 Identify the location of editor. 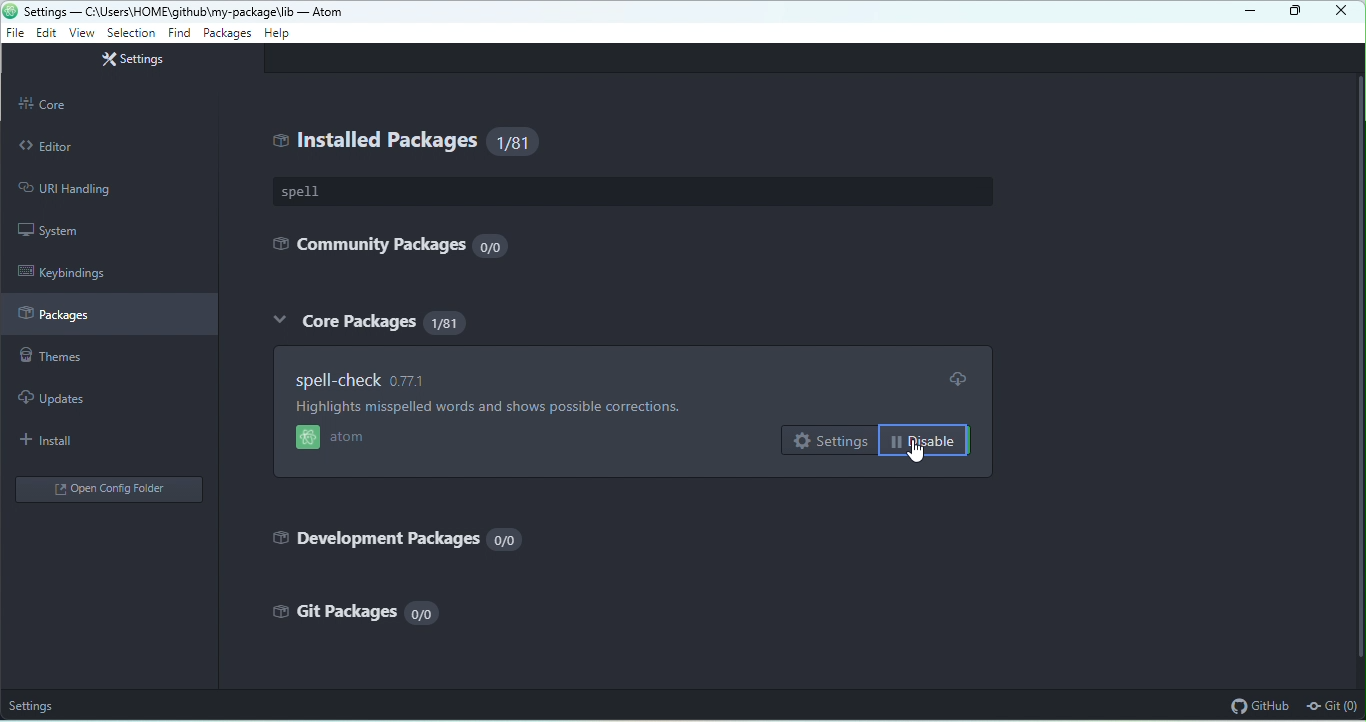
(108, 147).